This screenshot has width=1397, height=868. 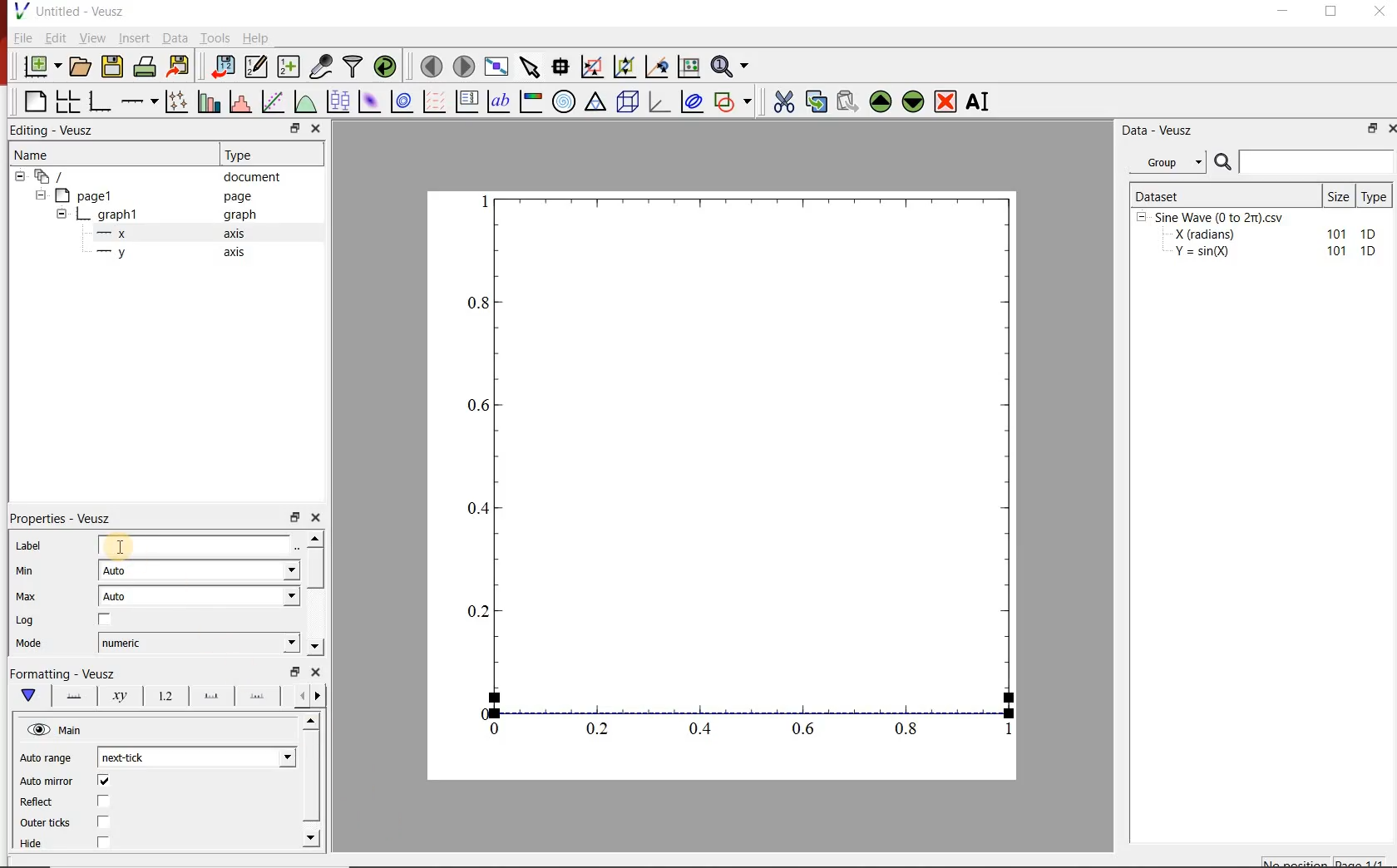 What do you see at coordinates (25, 620) in the screenshot?
I see `Log` at bounding box center [25, 620].